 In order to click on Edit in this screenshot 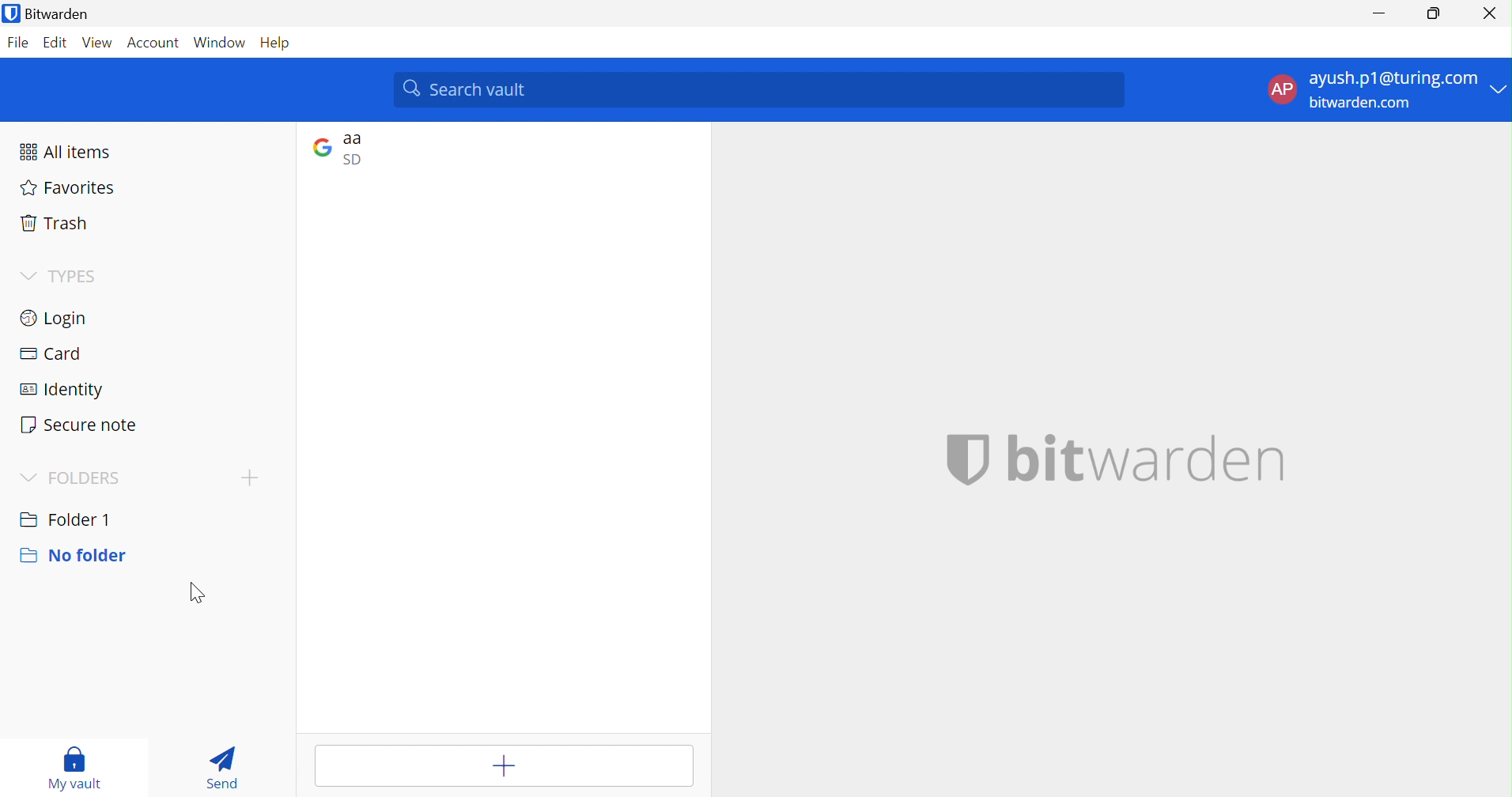, I will do `click(55, 42)`.